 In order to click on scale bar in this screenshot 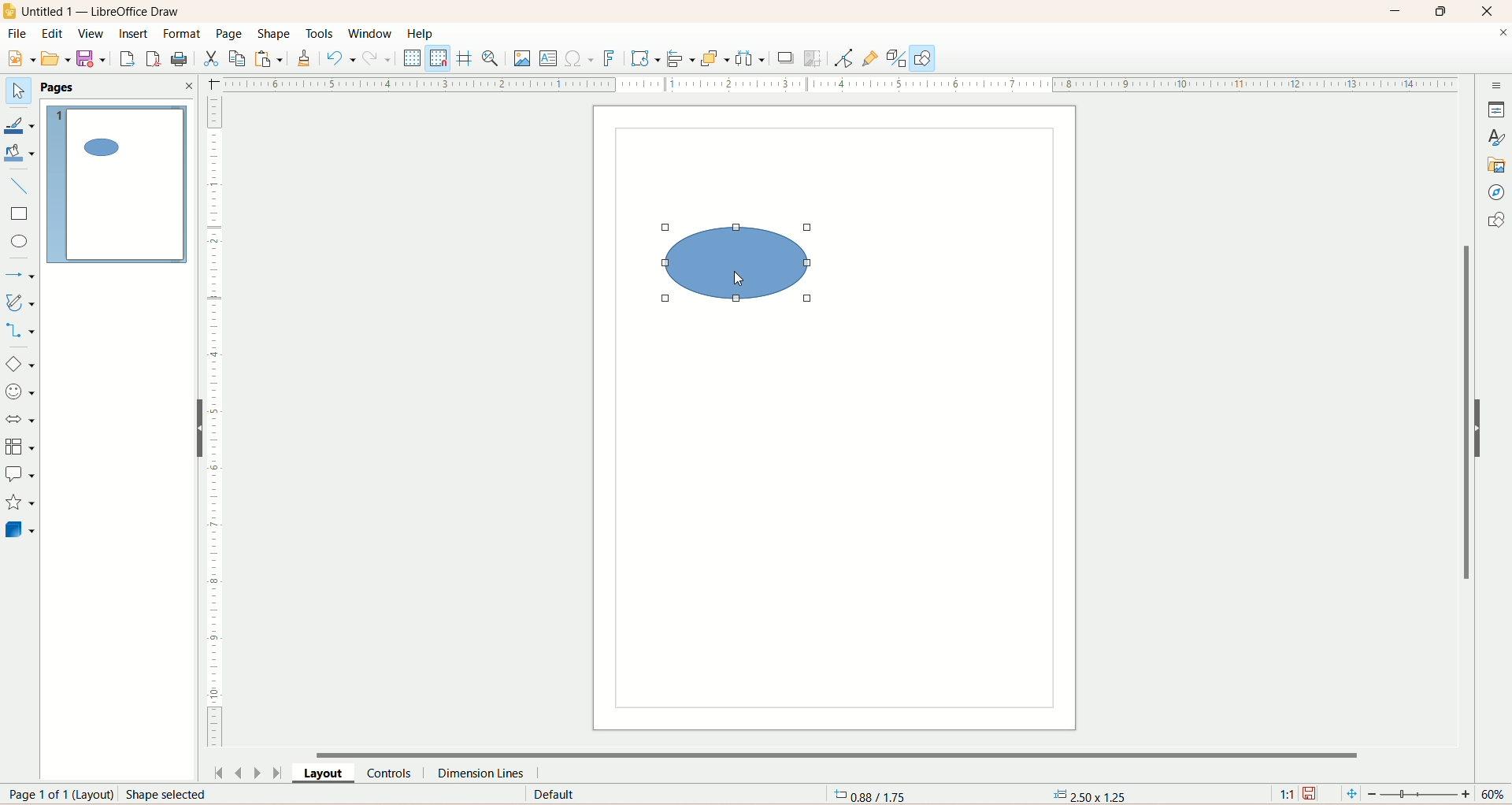, I will do `click(842, 85)`.